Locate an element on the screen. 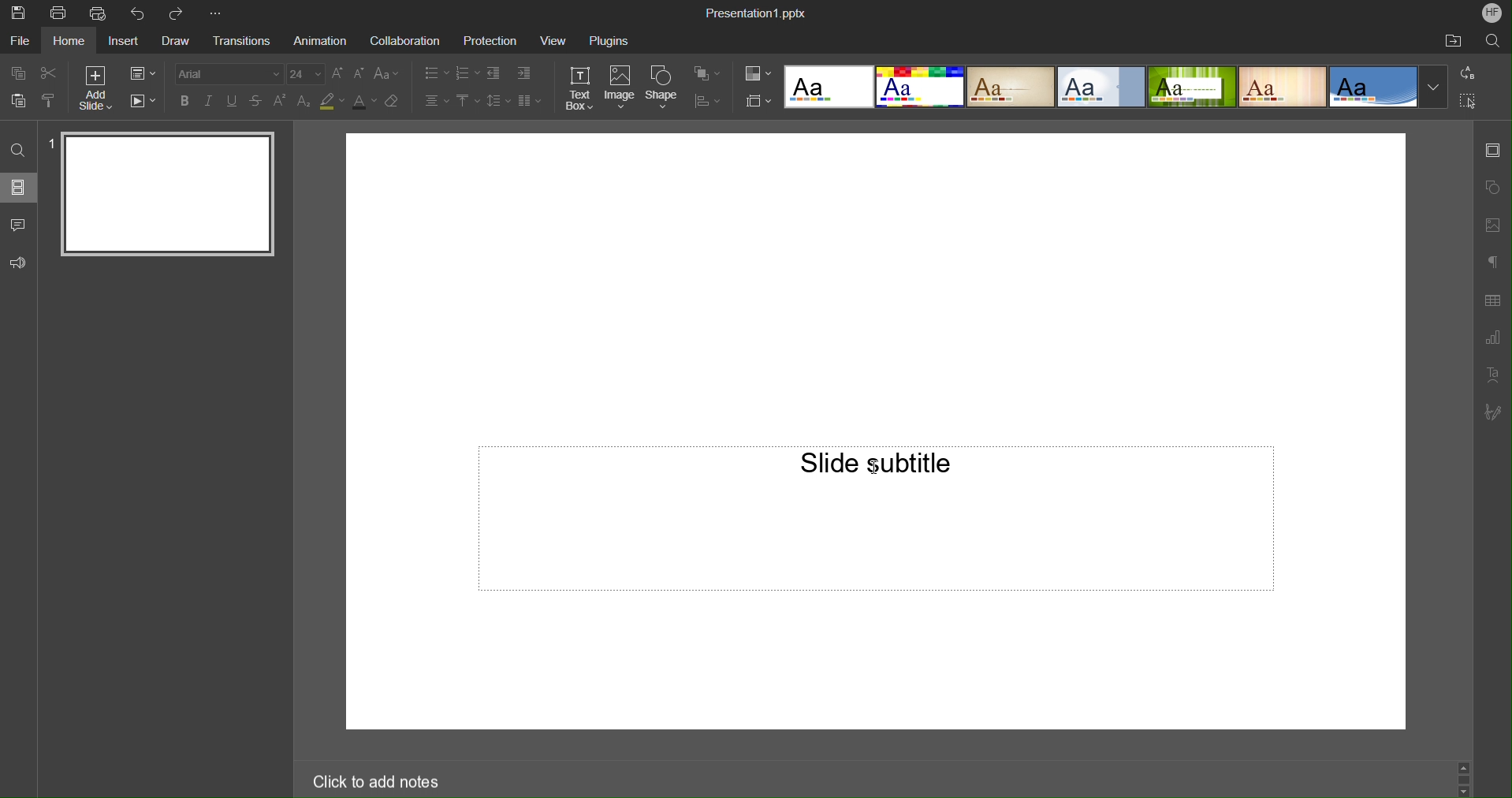 This screenshot has height=798, width=1512. Slides is located at coordinates (20, 189).